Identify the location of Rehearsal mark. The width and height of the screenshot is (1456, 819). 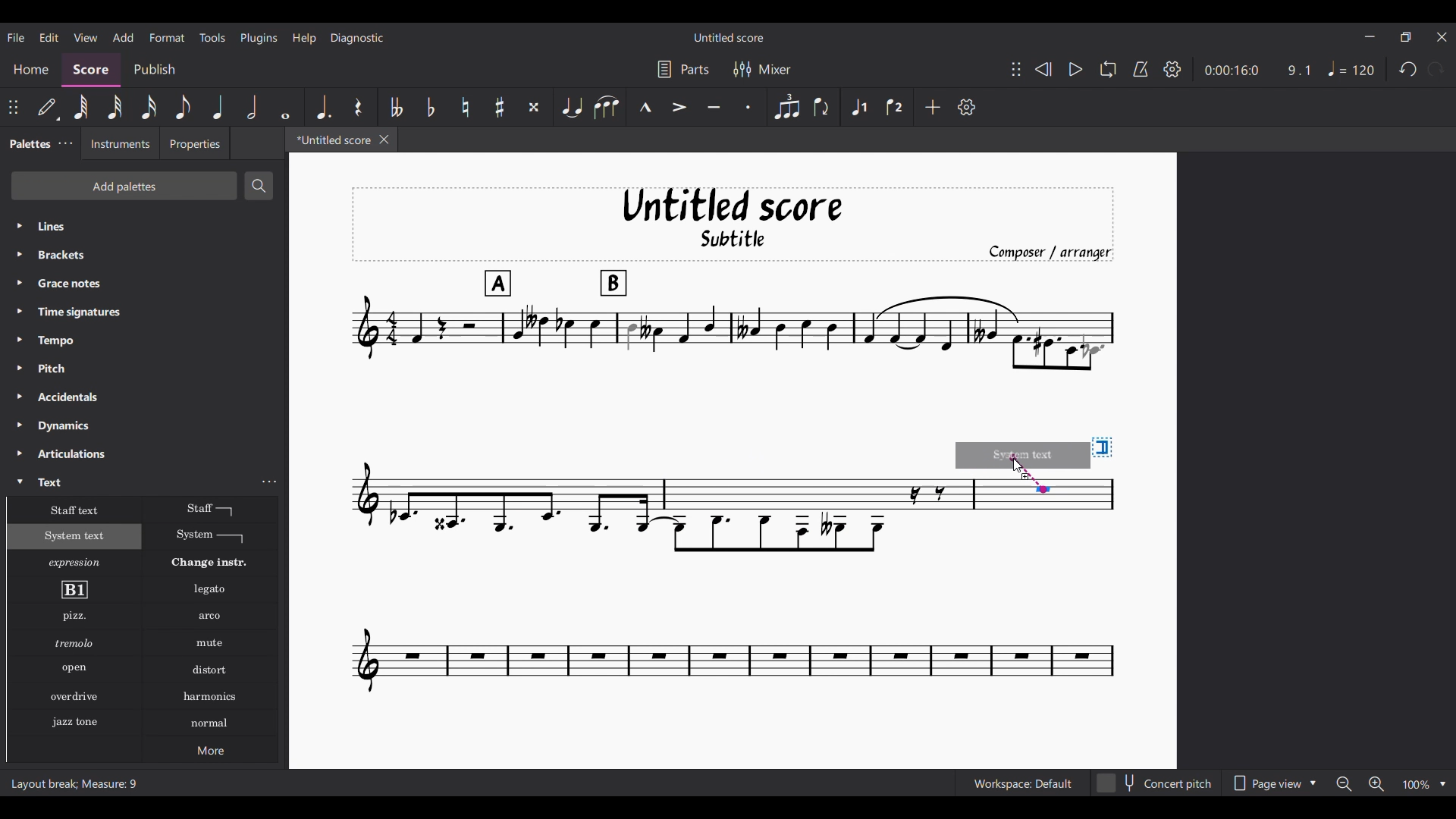
(74, 589).